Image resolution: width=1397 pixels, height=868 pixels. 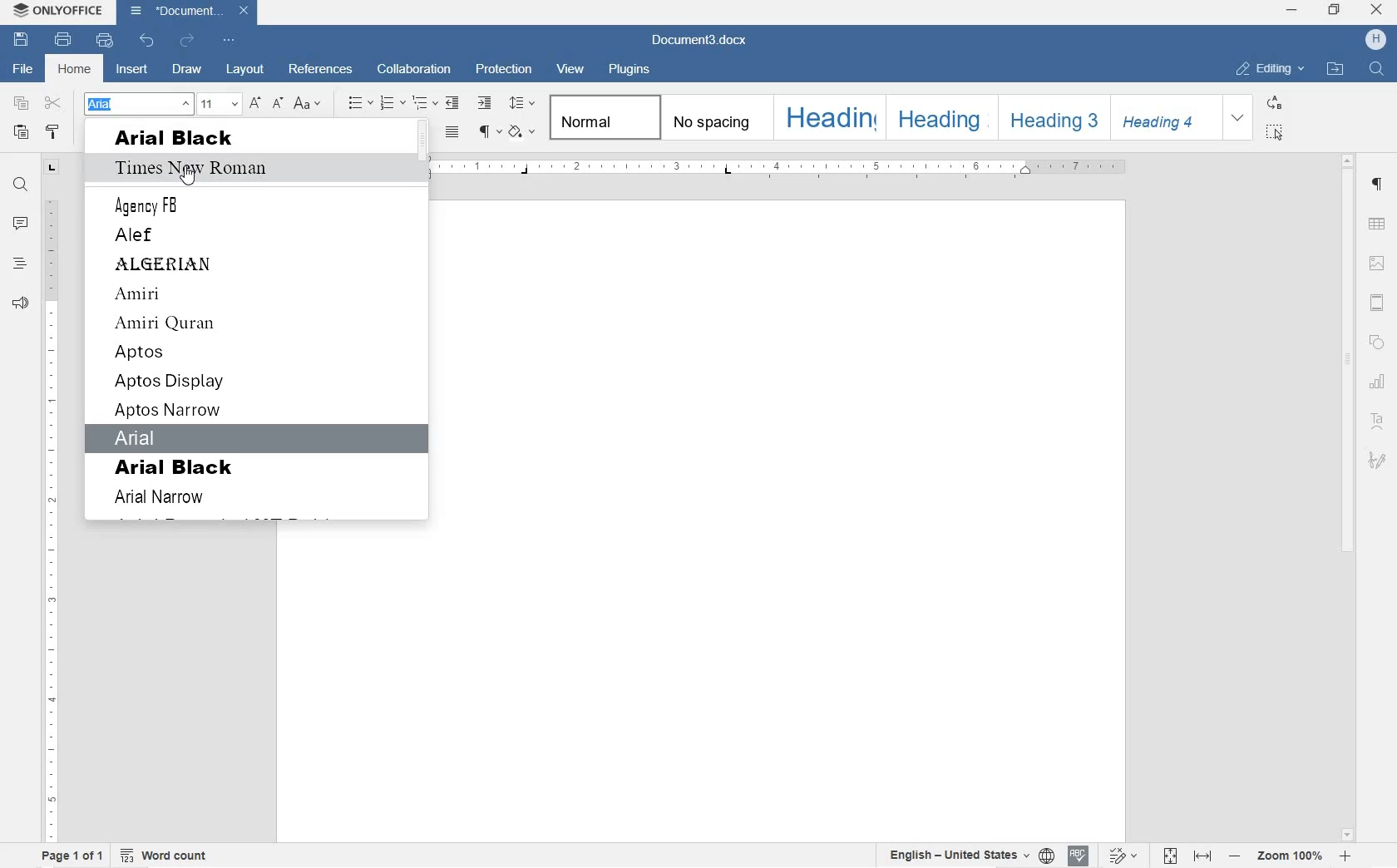 I want to click on COPY STYLE, so click(x=54, y=134).